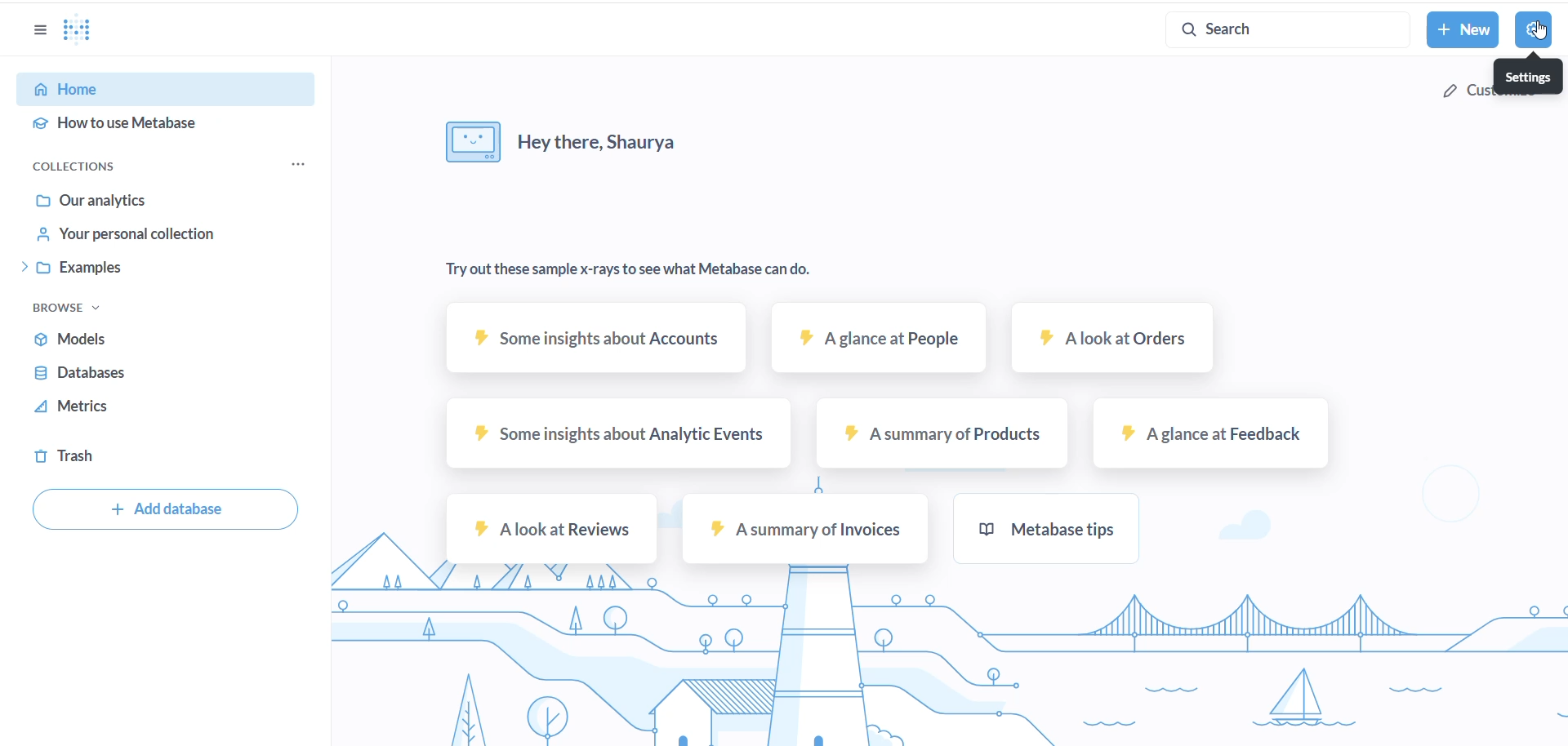 The width and height of the screenshot is (1568, 746). I want to click on A glance at people sample, so click(875, 343).